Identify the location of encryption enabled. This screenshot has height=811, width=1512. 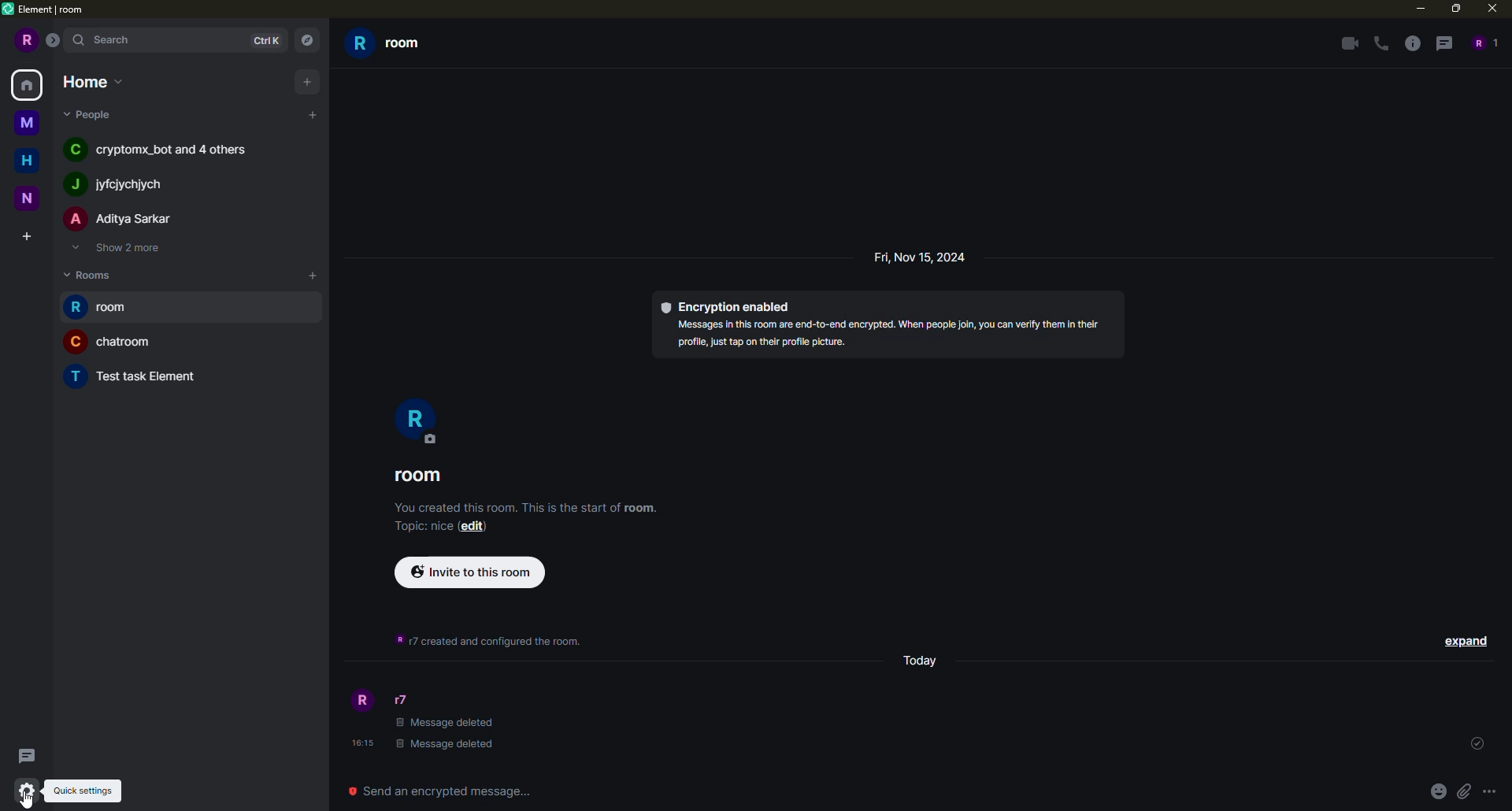
(732, 306).